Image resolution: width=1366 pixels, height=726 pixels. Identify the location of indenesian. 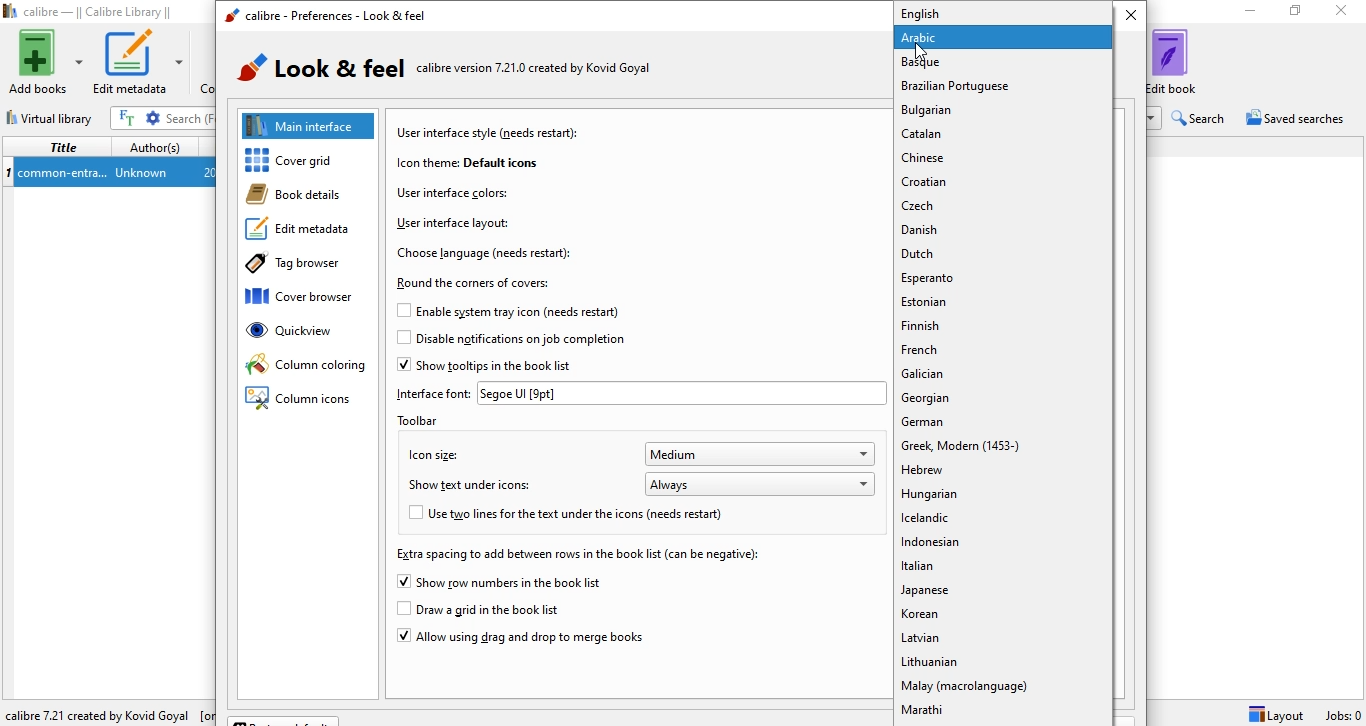
(1005, 544).